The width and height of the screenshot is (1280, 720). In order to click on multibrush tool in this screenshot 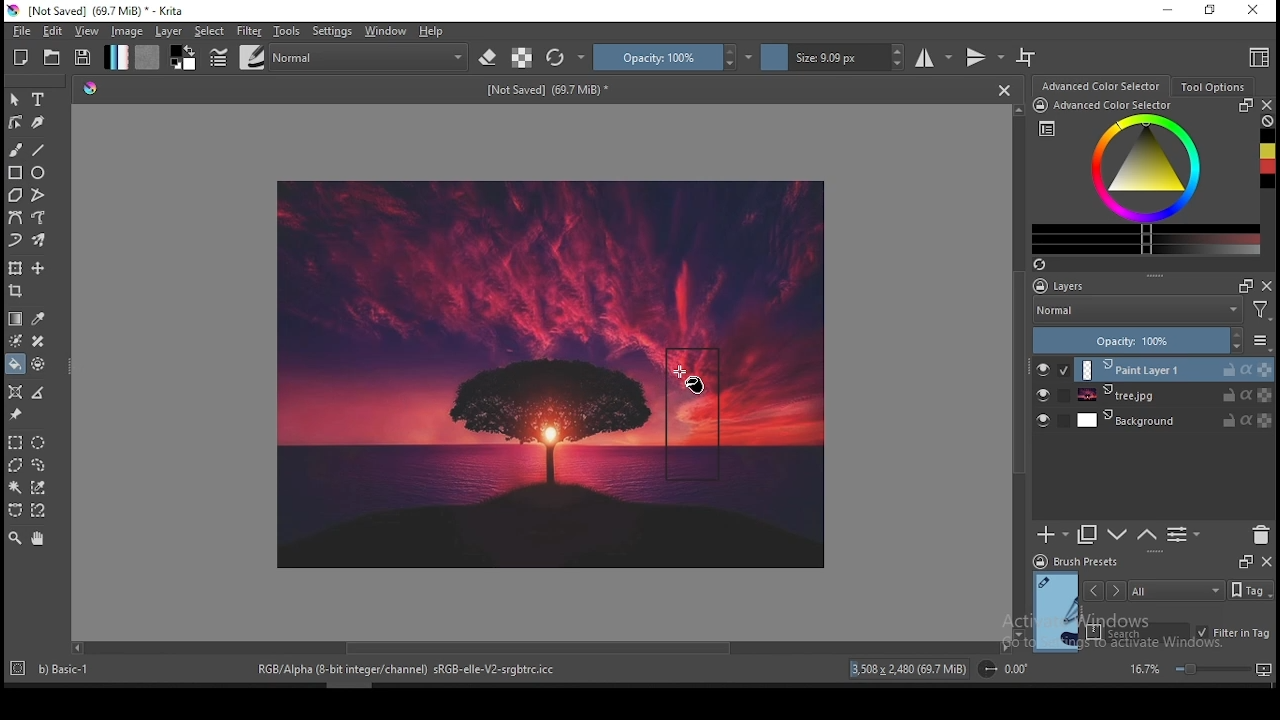, I will do `click(40, 240)`.